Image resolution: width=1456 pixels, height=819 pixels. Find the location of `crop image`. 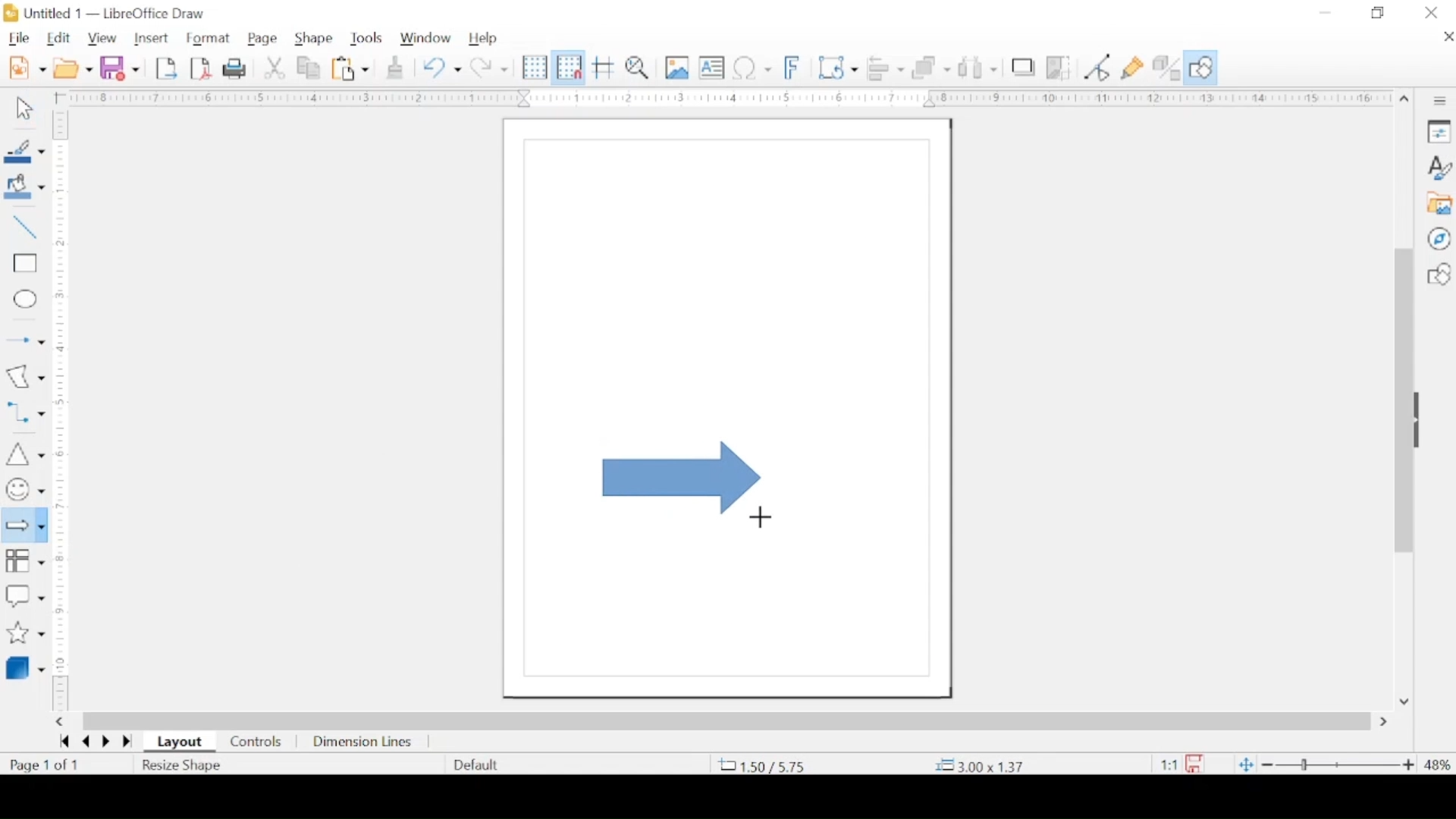

crop image is located at coordinates (1059, 67).